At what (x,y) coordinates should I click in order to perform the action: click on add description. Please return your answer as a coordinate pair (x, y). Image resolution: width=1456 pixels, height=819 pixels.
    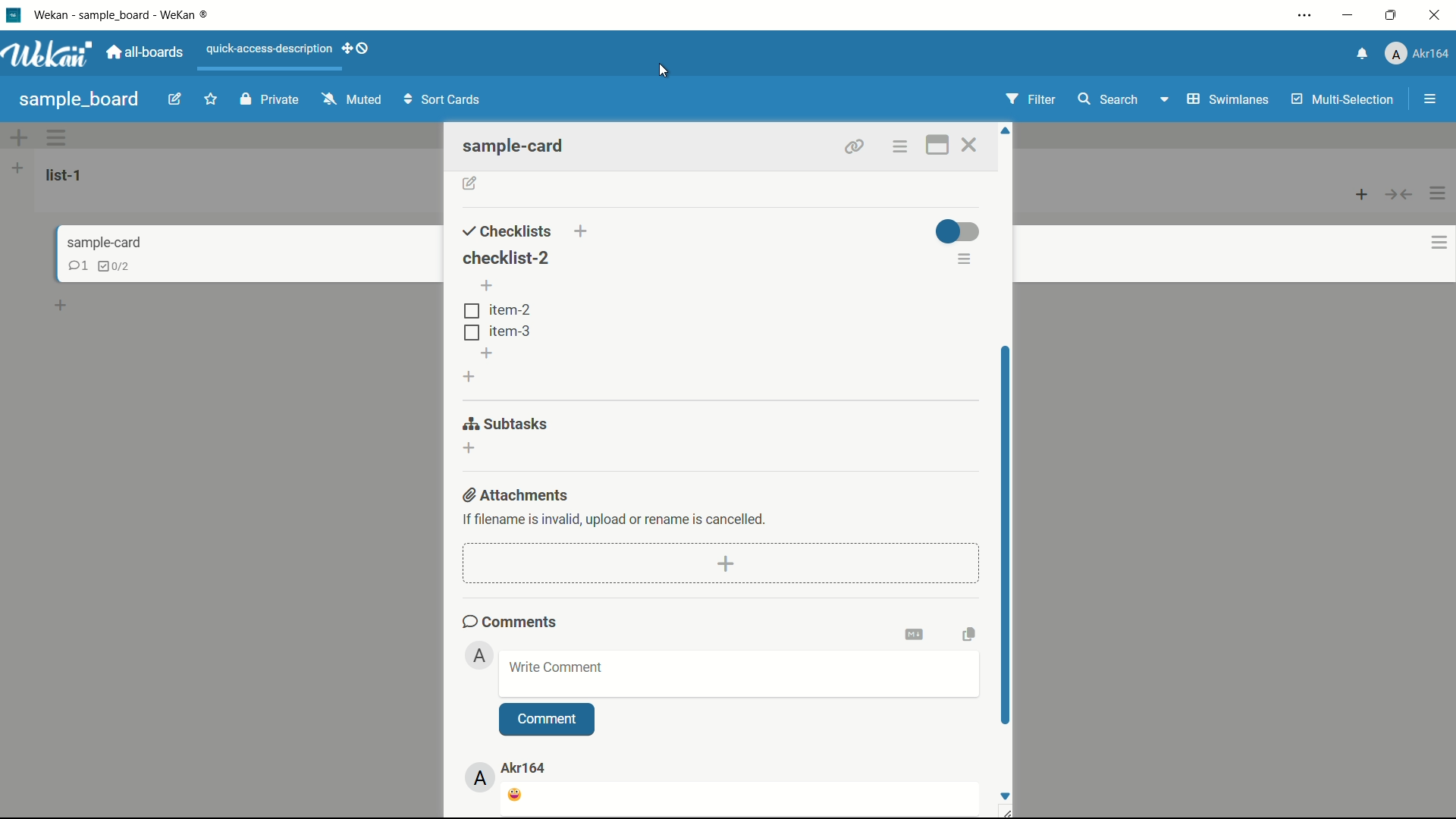
    Looking at the image, I should click on (470, 184).